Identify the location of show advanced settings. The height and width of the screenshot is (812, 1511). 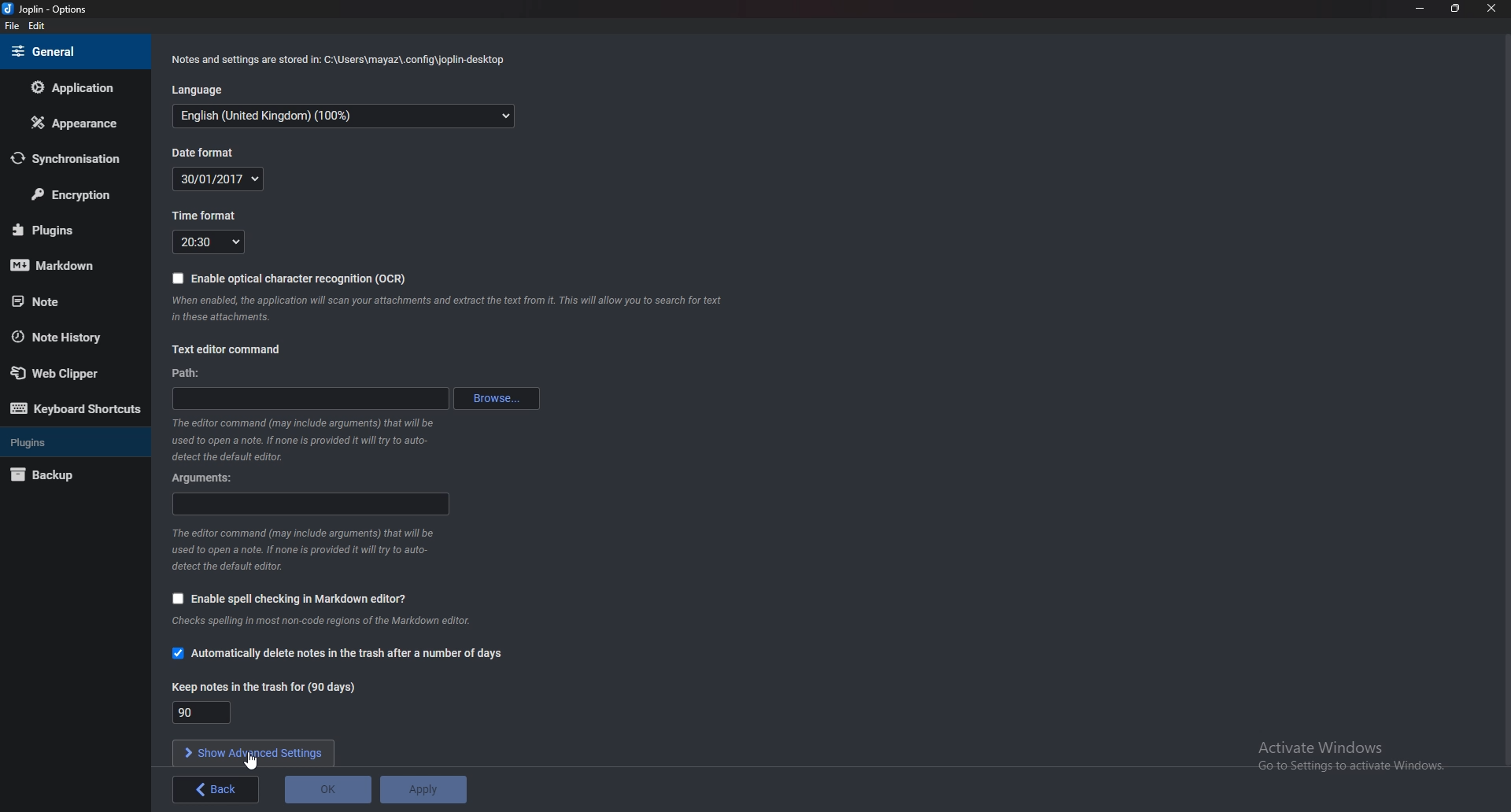
(253, 754).